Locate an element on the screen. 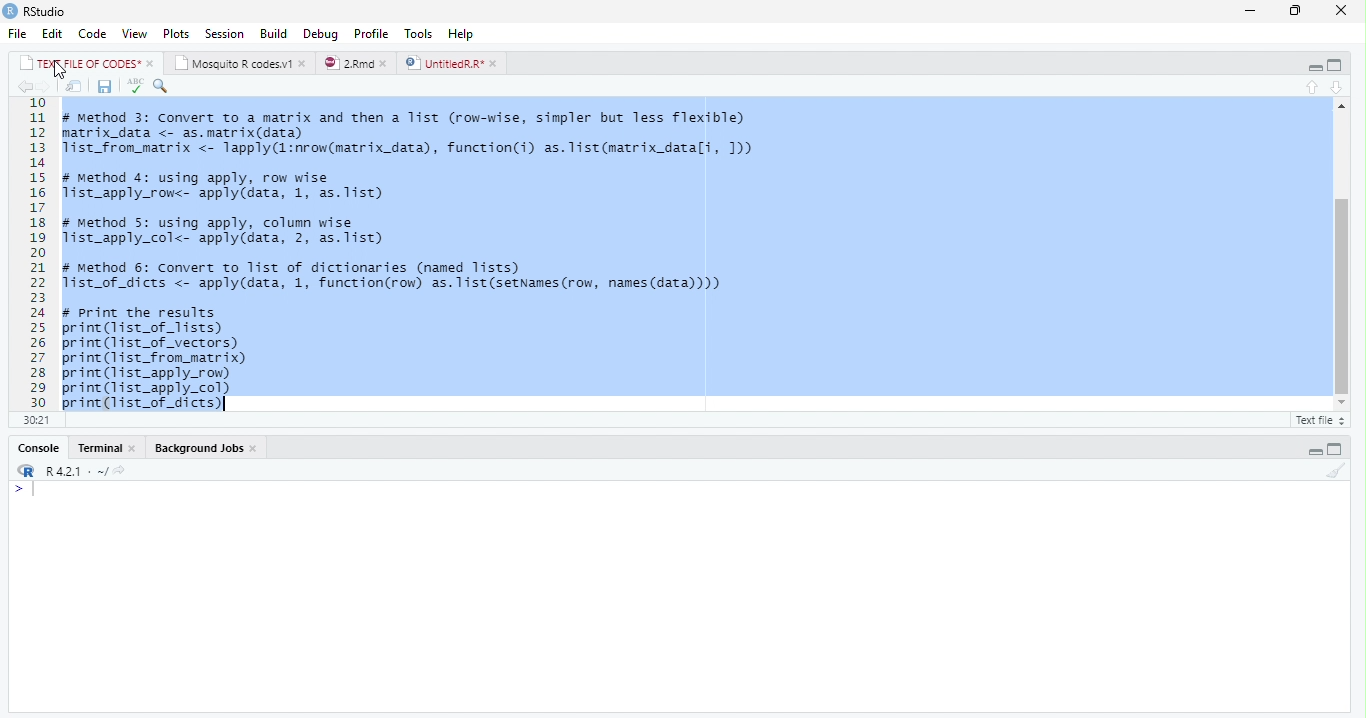 The height and width of the screenshot is (718, 1366). Open in new window is located at coordinates (74, 86).